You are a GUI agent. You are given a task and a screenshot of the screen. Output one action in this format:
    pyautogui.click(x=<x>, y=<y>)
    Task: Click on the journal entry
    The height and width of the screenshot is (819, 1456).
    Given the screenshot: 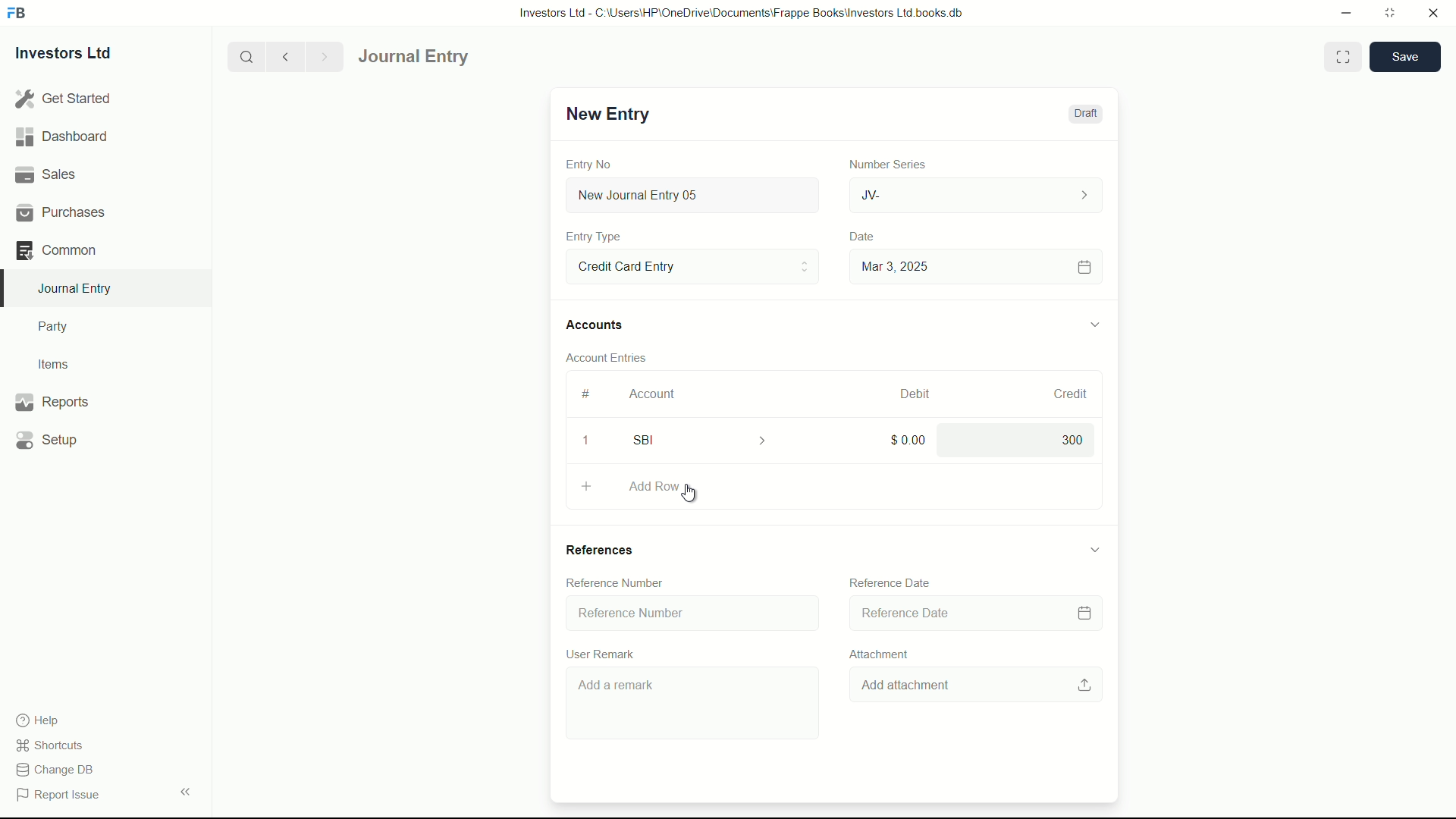 What is the action you would take?
    pyautogui.click(x=457, y=57)
    